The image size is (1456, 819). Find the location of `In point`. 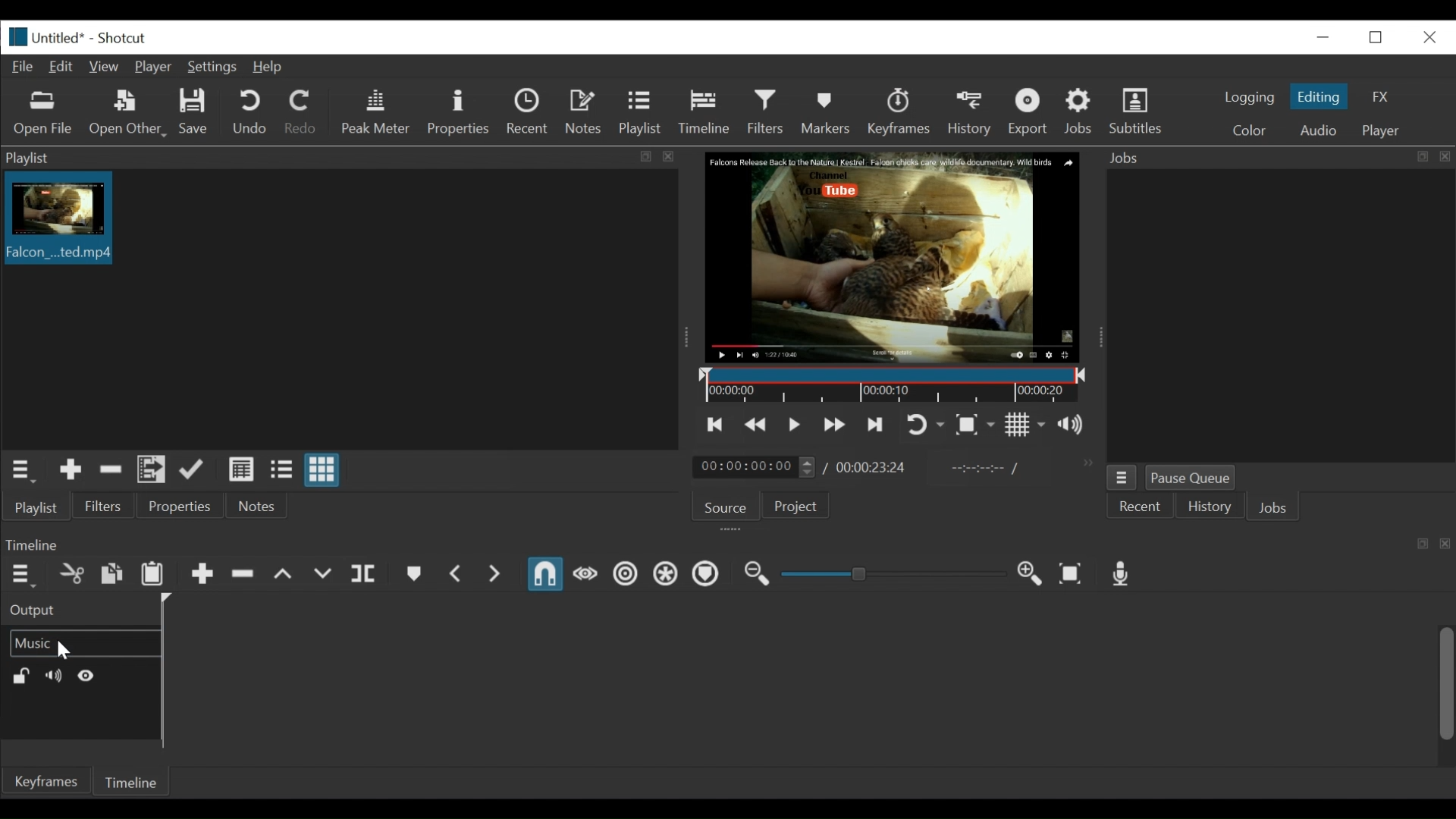

In point is located at coordinates (985, 470).